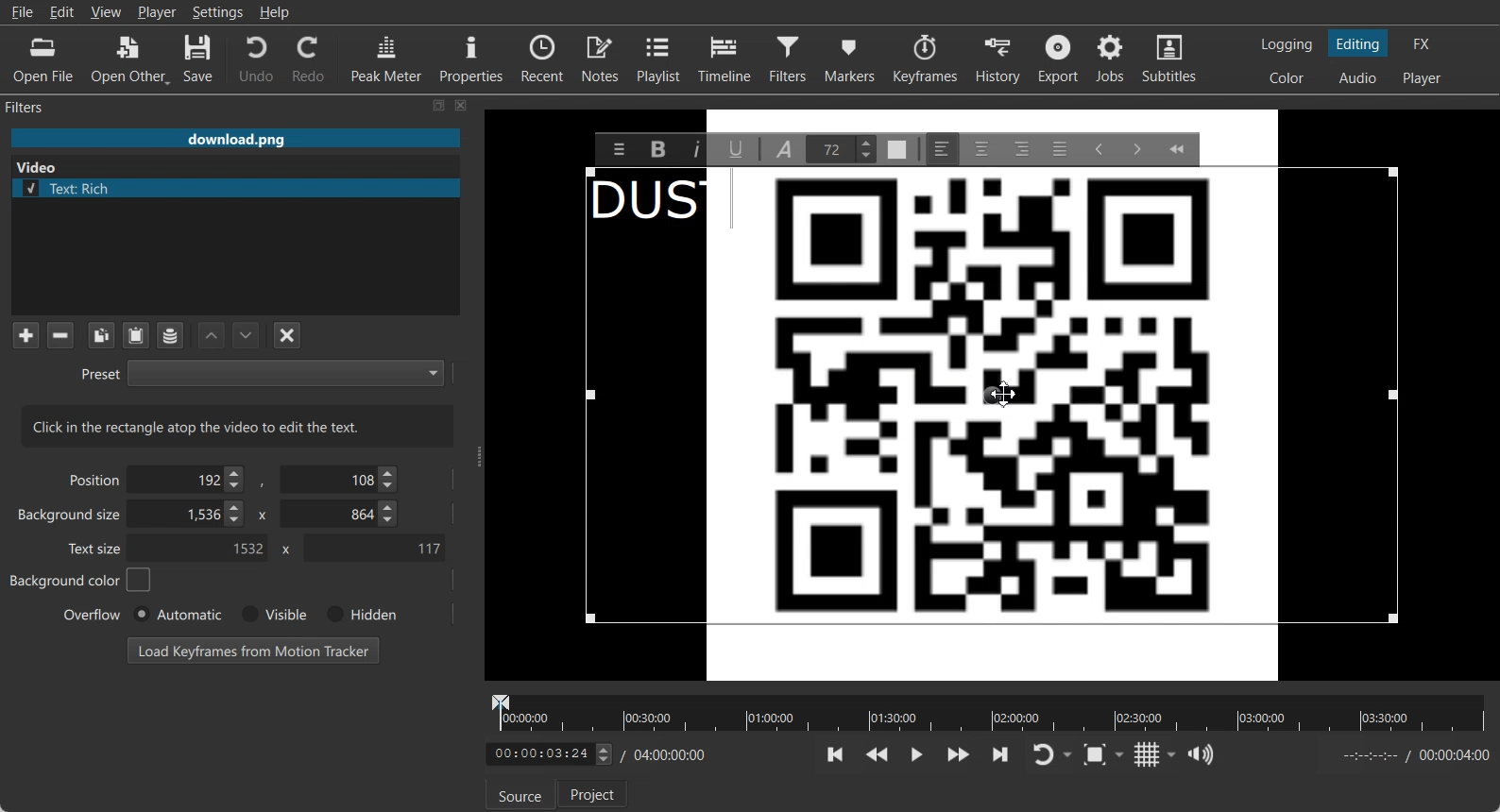 This screenshot has height=812, width=1500. Describe the element at coordinates (1287, 78) in the screenshot. I see `Switching to the Color layout` at that location.